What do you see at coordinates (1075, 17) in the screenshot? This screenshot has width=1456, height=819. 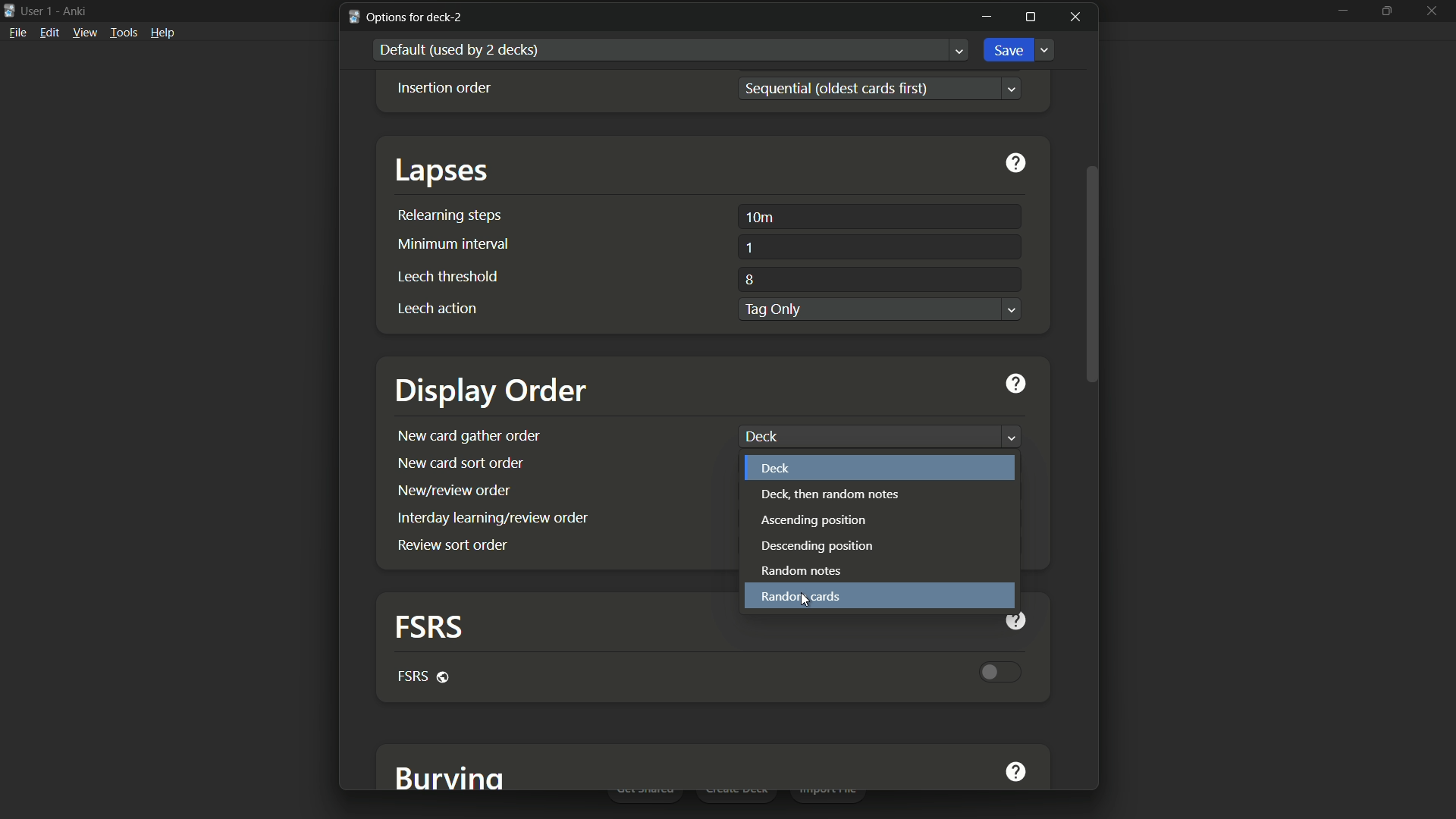 I see `close window` at bounding box center [1075, 17].